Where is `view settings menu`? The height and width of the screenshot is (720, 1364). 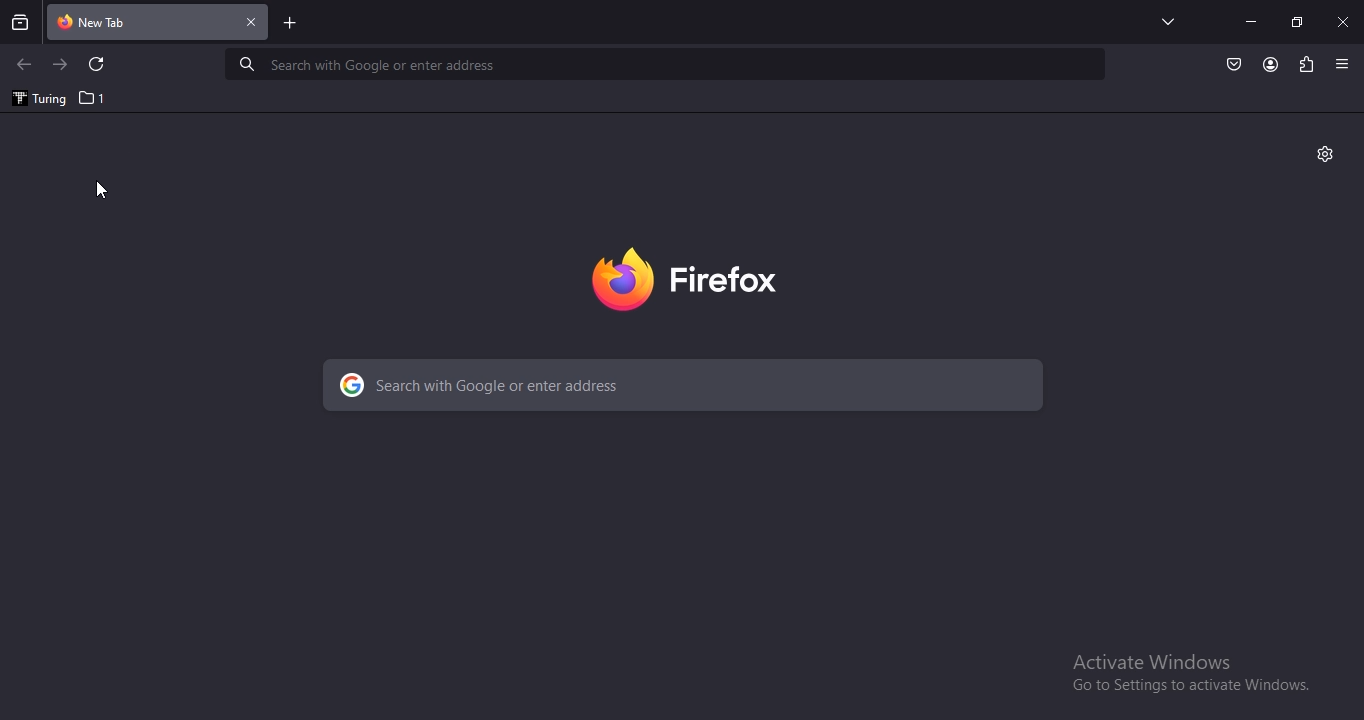 view settings menu is located at coordinates (1343, 63).